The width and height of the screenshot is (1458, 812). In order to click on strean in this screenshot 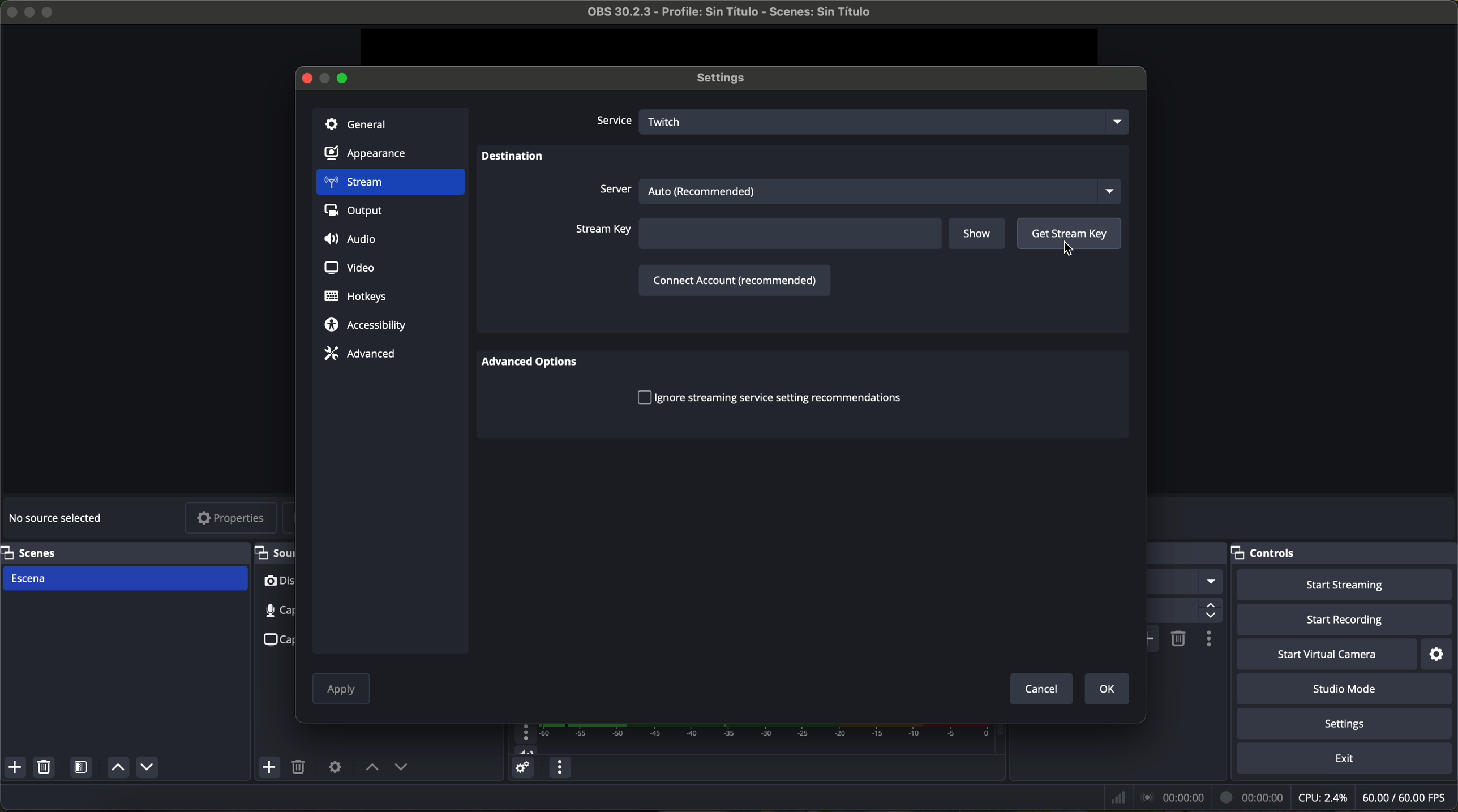, I will do `click(389, 183)`.